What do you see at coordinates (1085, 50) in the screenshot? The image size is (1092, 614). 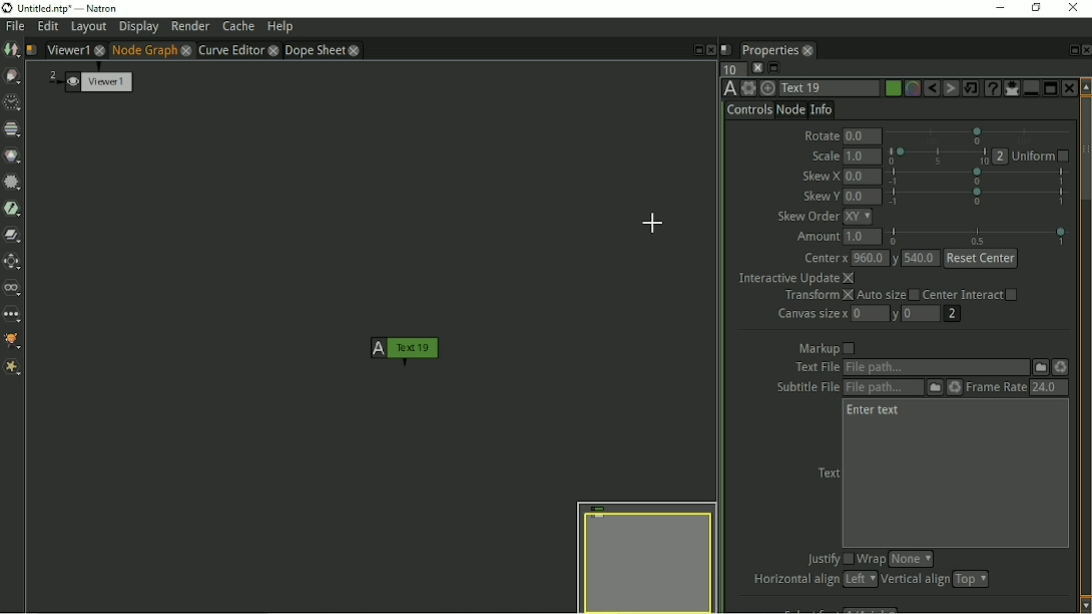 I see `Close` at bounding box center [1085, 50].